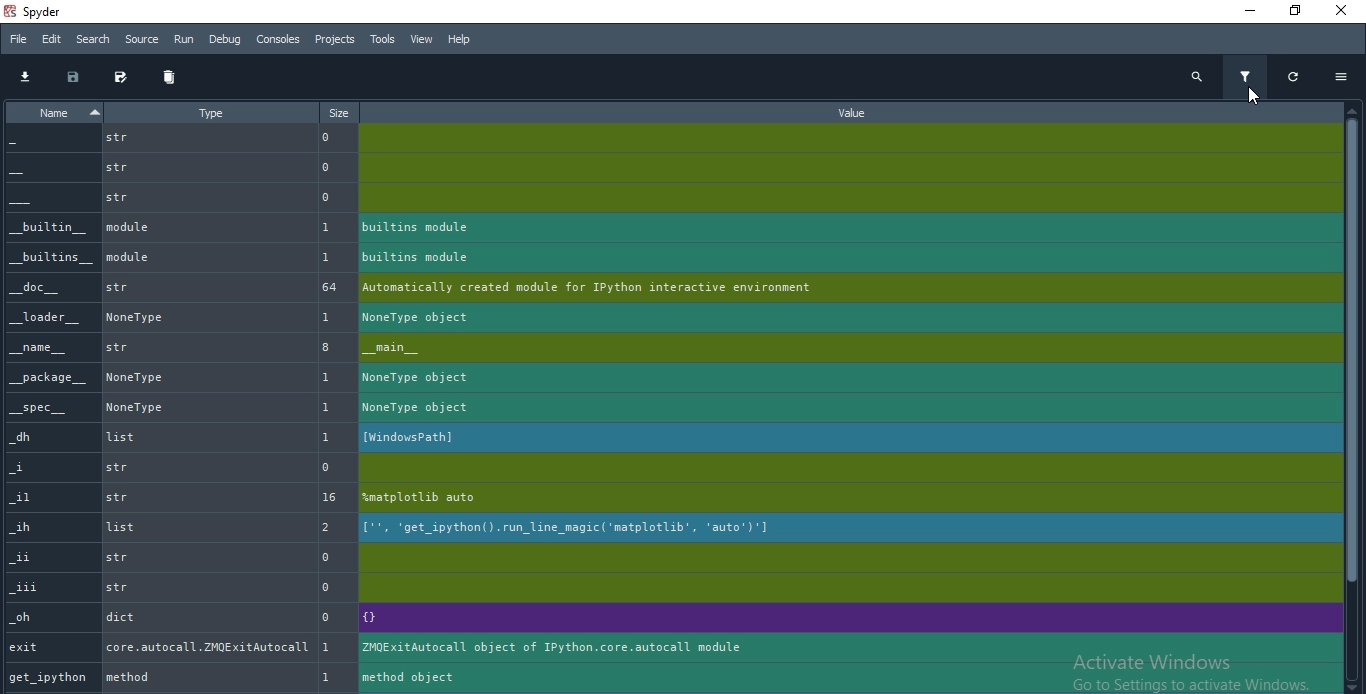  I want to click on options, so click(1345, 77).